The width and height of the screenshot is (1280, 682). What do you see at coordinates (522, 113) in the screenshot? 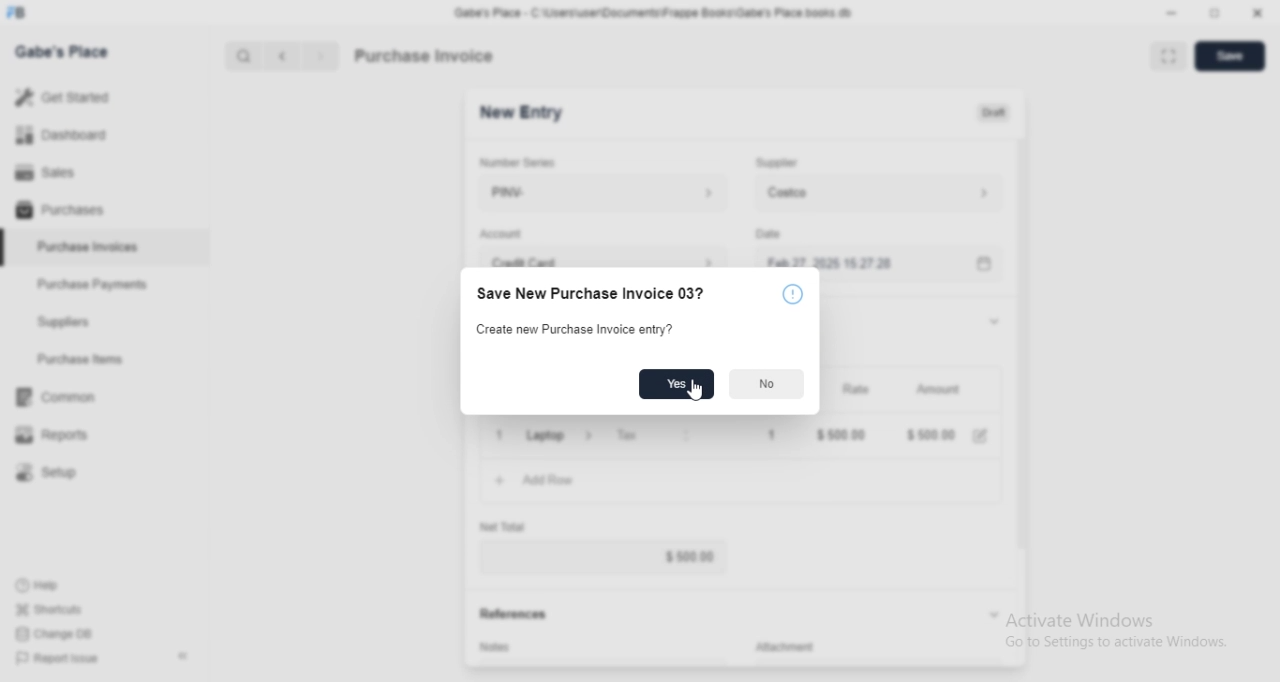
I see `New Entry` at bounding box center [522, 113].